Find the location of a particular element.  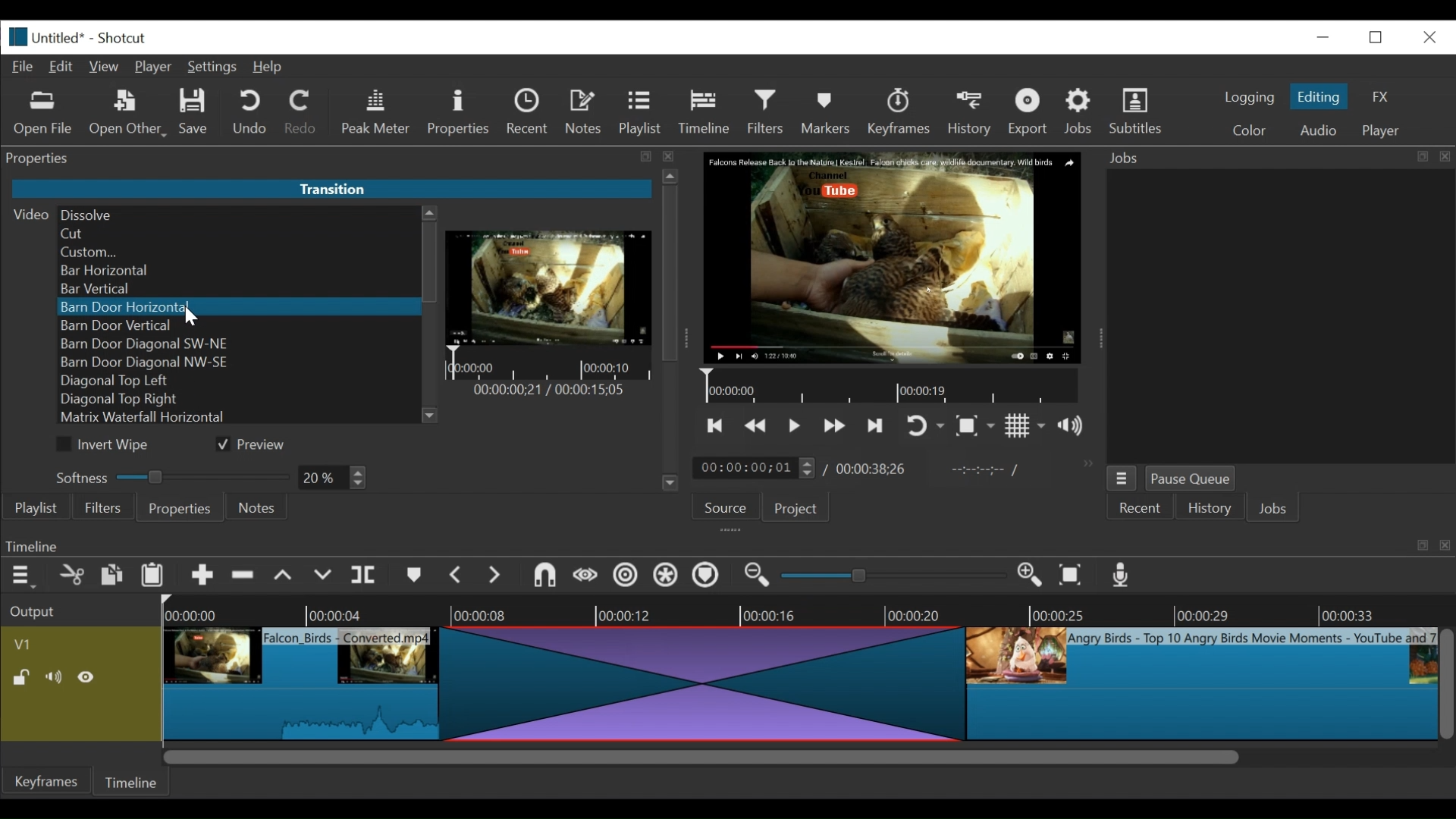

Timeline is located at coordinates (808, 610).